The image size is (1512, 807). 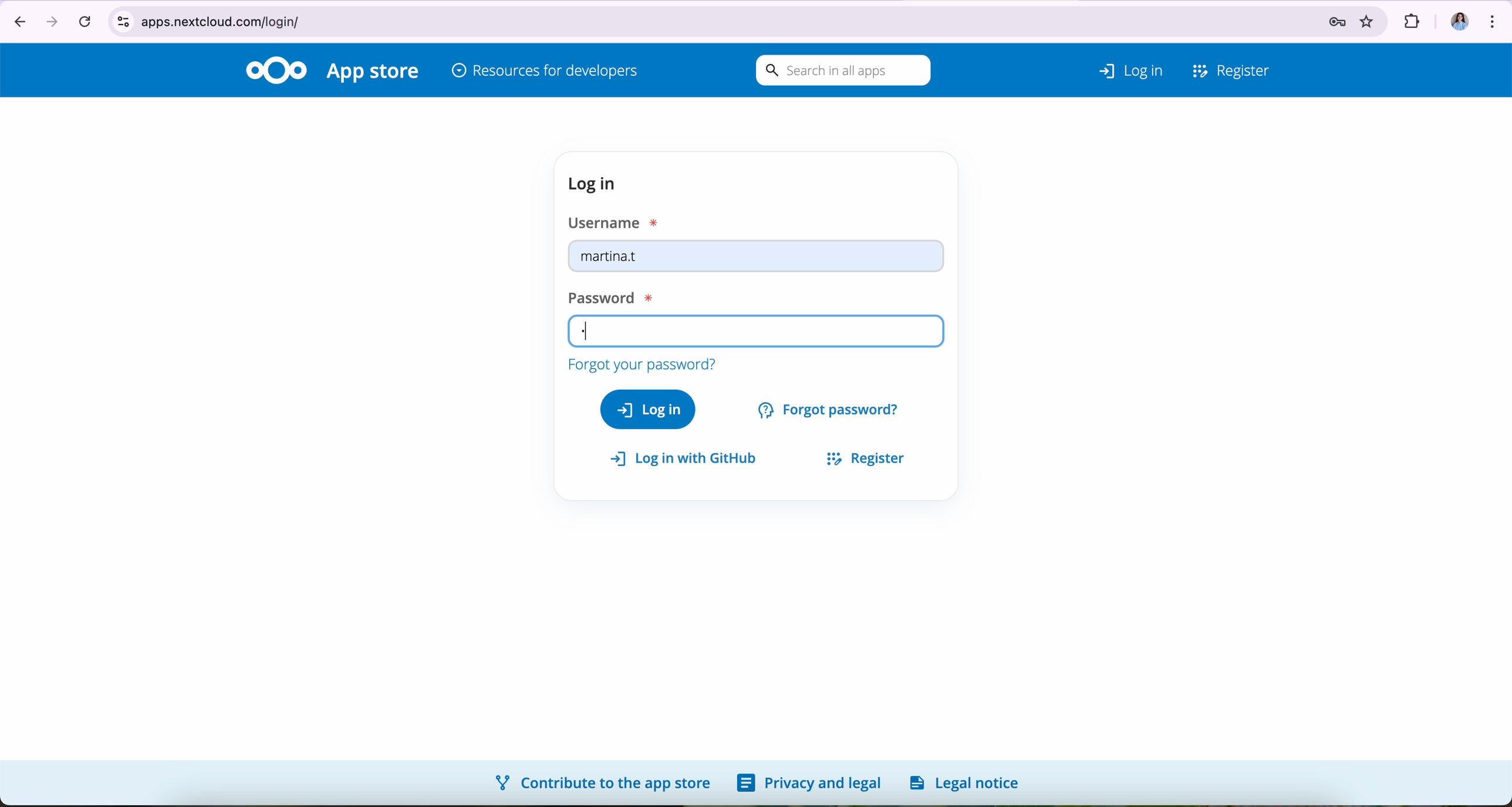 What do you see at coordinates (1115, 67) in the screenshot?
I see `Log in` at bounding box center [1115, 67].